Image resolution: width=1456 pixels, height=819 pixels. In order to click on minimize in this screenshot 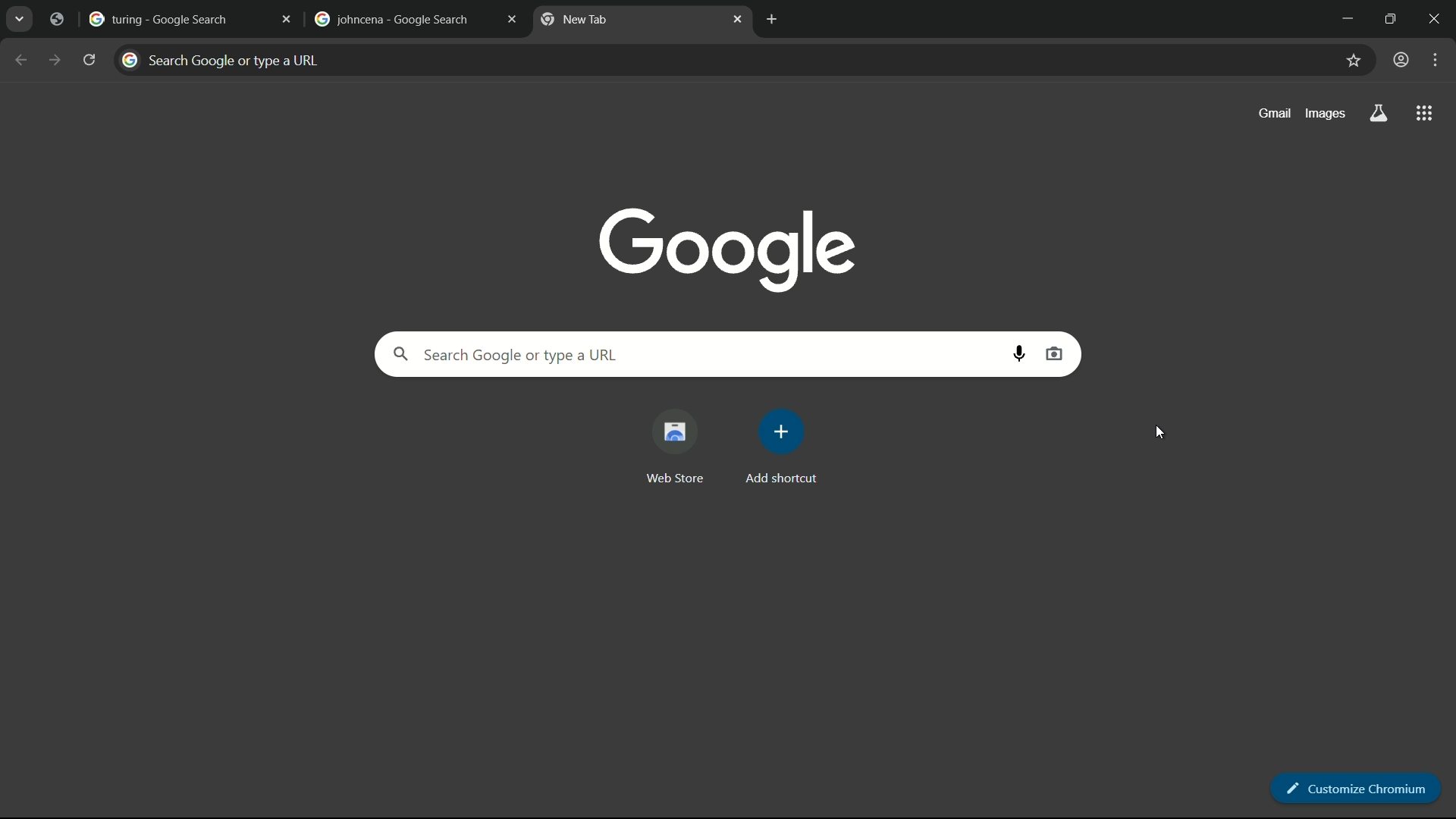, I will do `click(1348, 17)`.